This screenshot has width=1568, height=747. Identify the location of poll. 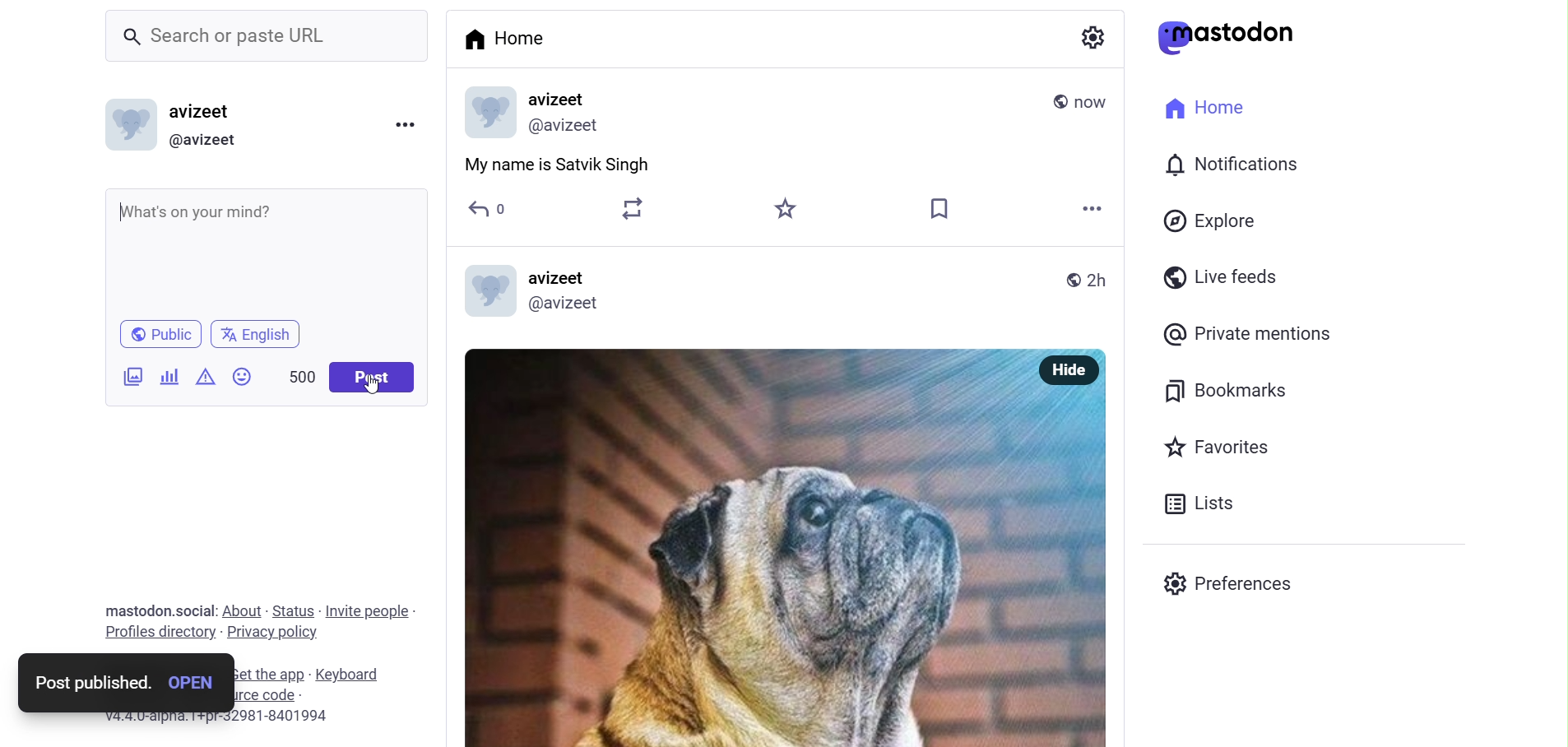
(166, 378).